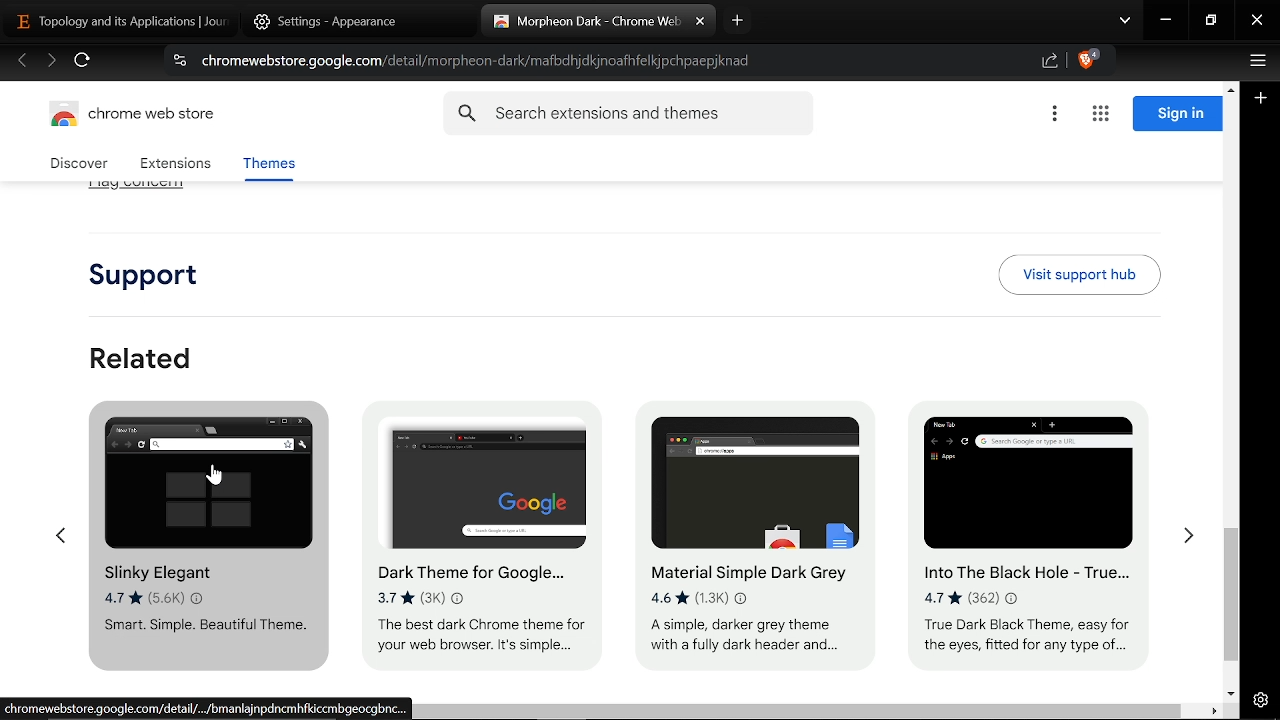 This screenshot has width=1280, height=720. I want to click on Customize and control brave, so click(1255, 63).